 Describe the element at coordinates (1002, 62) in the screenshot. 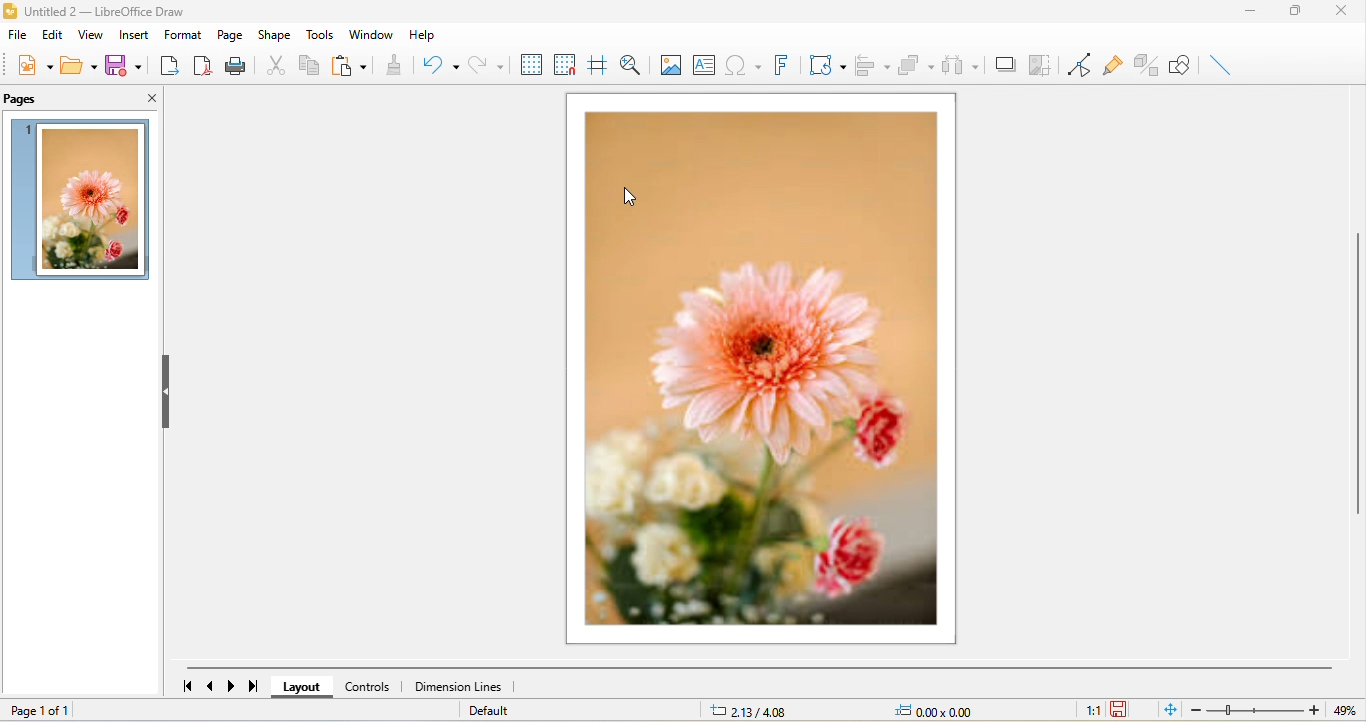

I see `shadow` at that location.